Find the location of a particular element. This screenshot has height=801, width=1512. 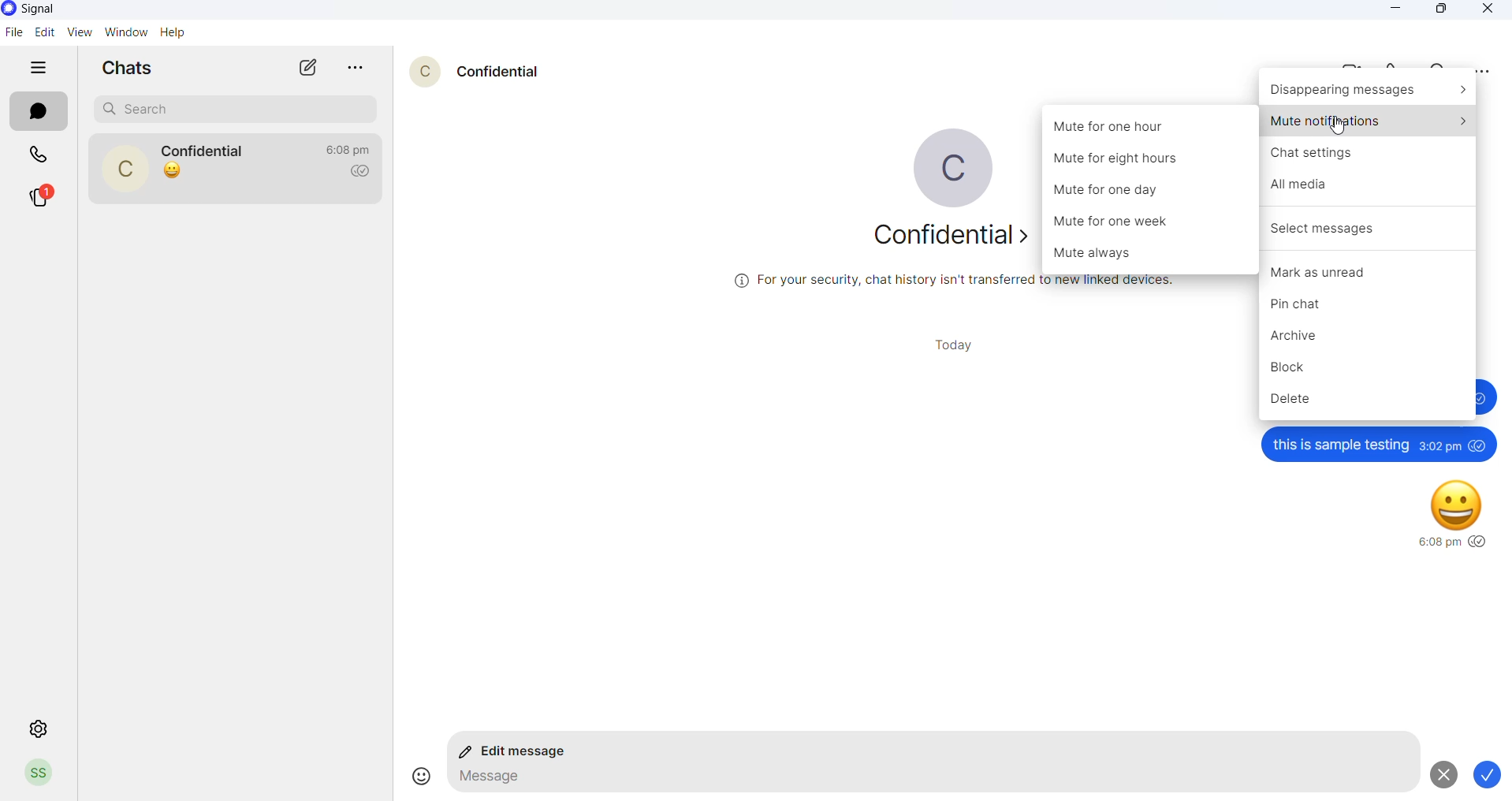

profile picture is located at coordinates (417, 69).